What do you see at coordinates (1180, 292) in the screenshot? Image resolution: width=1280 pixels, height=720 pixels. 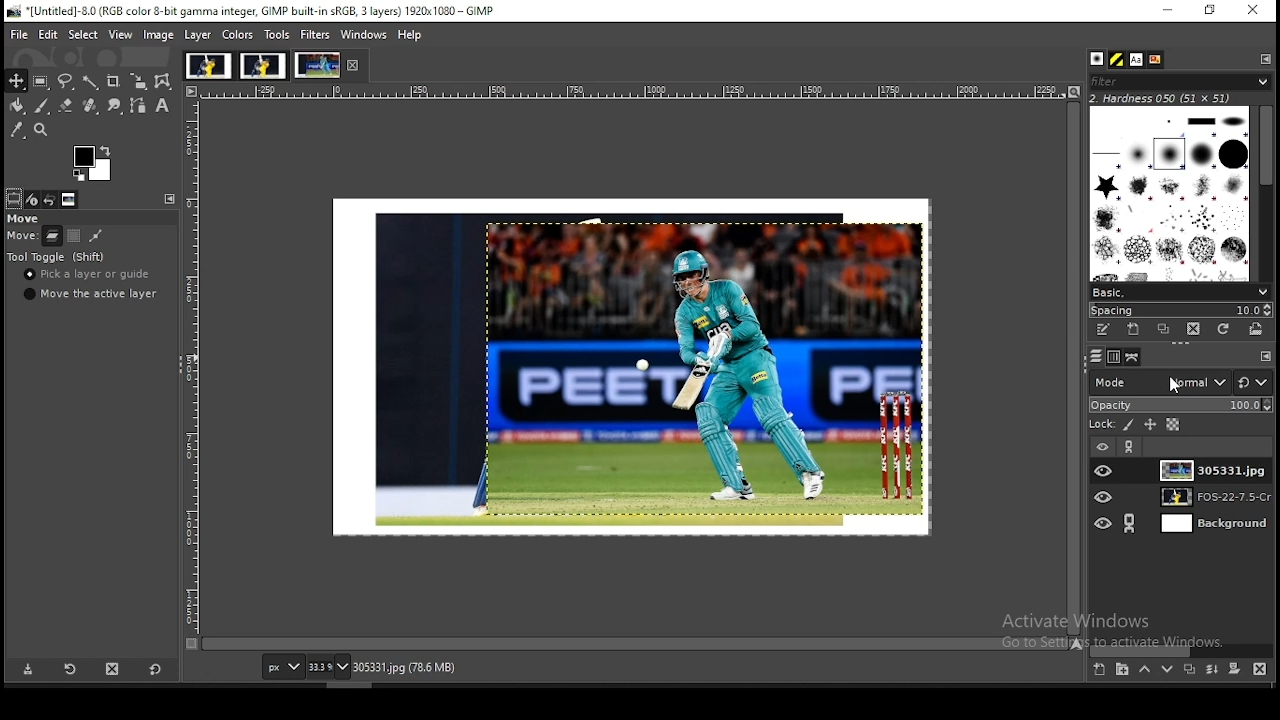 I see `select brush preset` at bounding box center [1180, 292].